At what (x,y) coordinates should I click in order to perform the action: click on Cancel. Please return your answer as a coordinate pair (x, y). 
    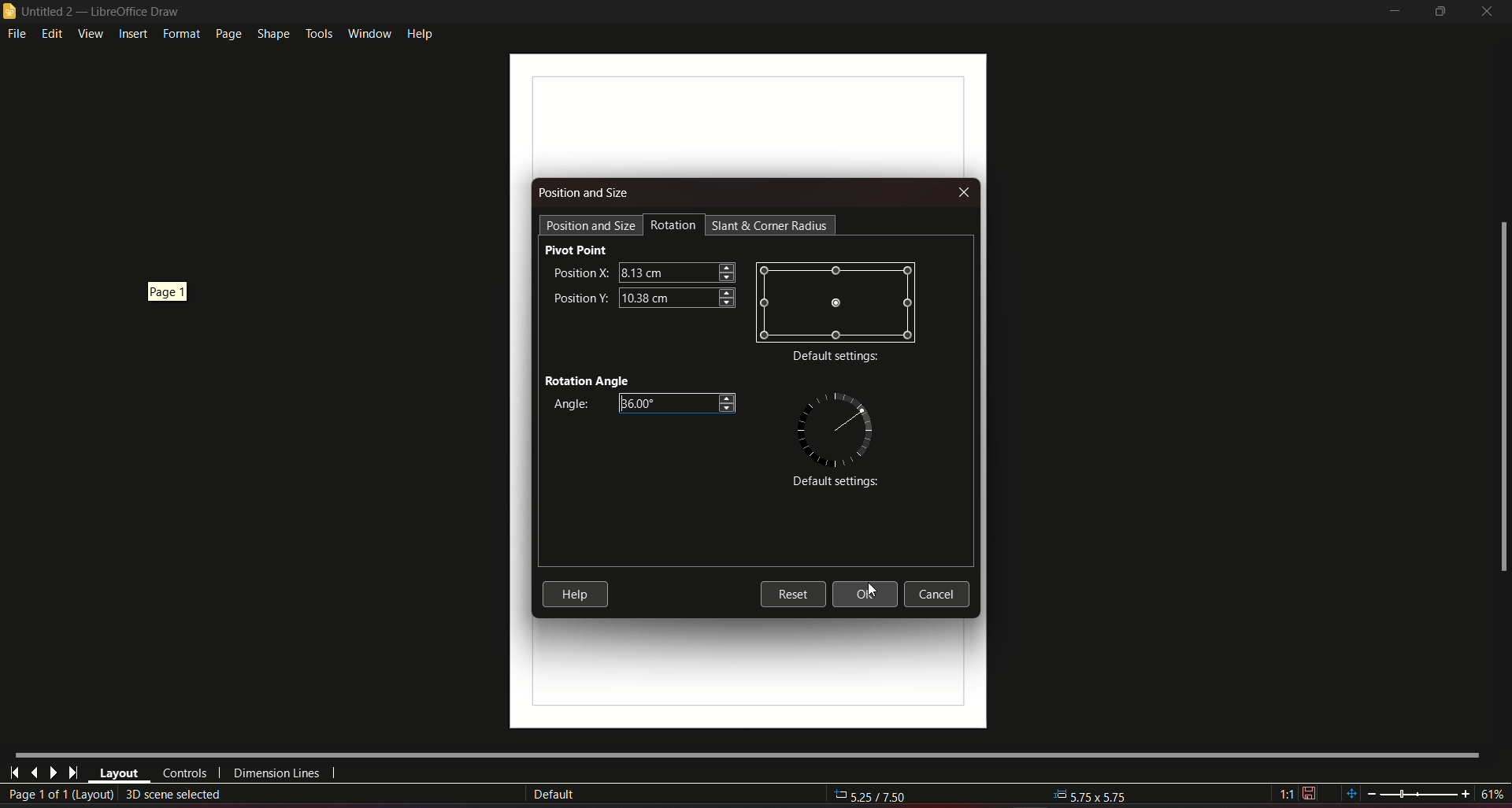
    Looking at the image, I should click on (941, 595).